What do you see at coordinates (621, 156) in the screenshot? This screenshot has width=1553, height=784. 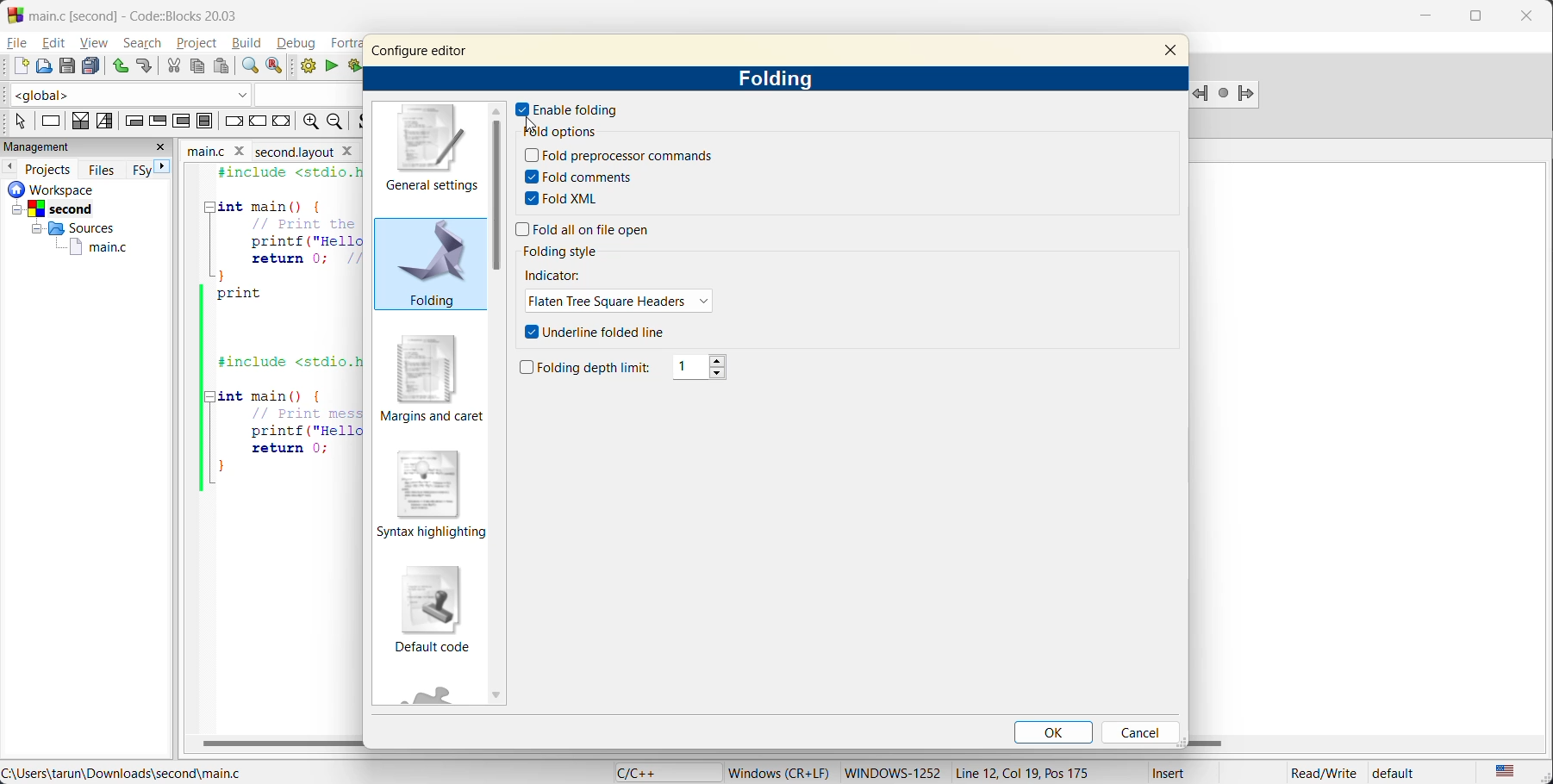 I see `fold preprocessor commands` at bounding box center [621, 156].